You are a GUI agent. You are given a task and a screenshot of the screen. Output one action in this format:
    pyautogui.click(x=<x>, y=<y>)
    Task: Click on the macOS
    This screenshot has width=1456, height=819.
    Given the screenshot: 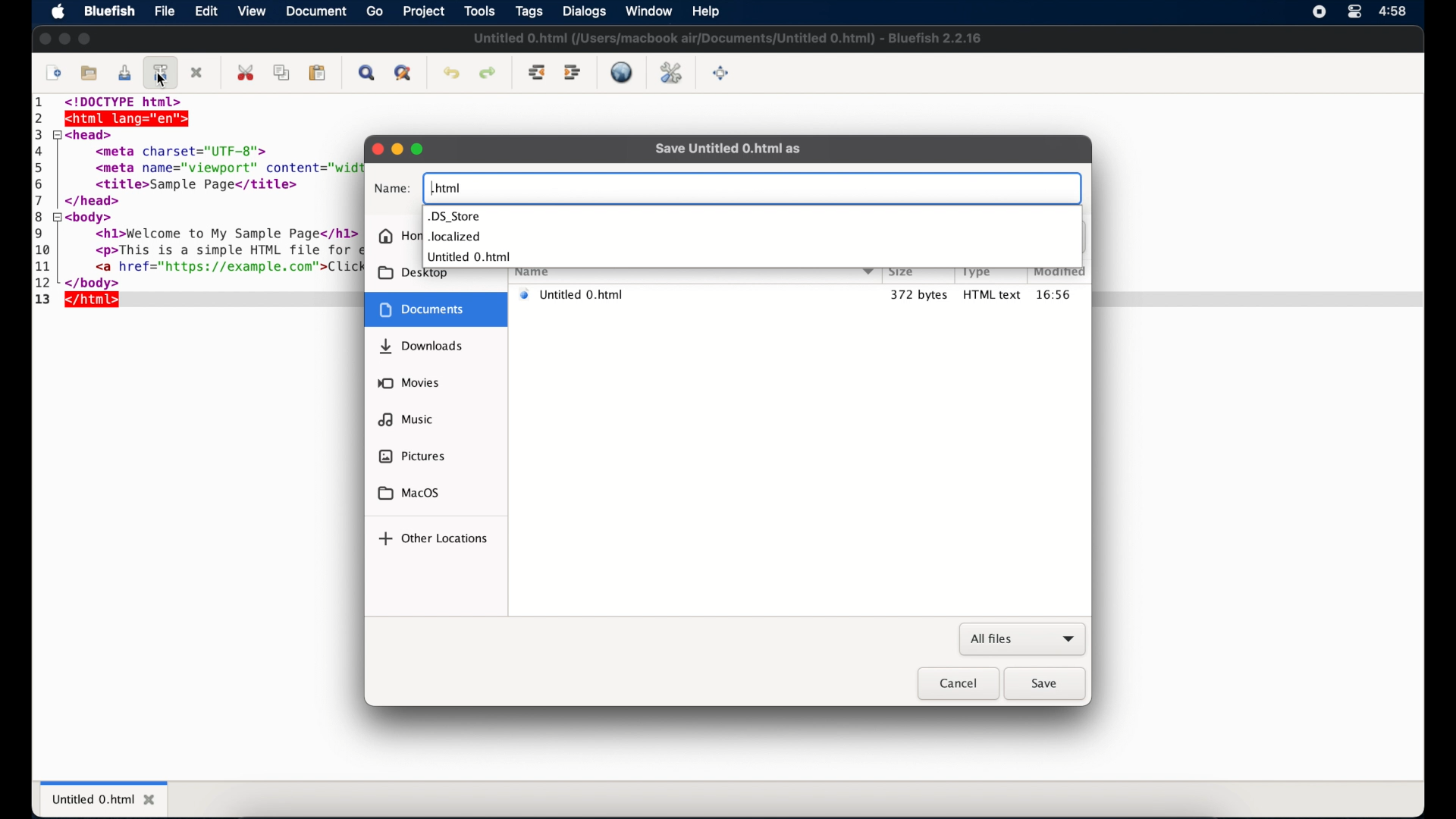 What is the action you would take?
    pyautogui.click(x=409, y=494)
    